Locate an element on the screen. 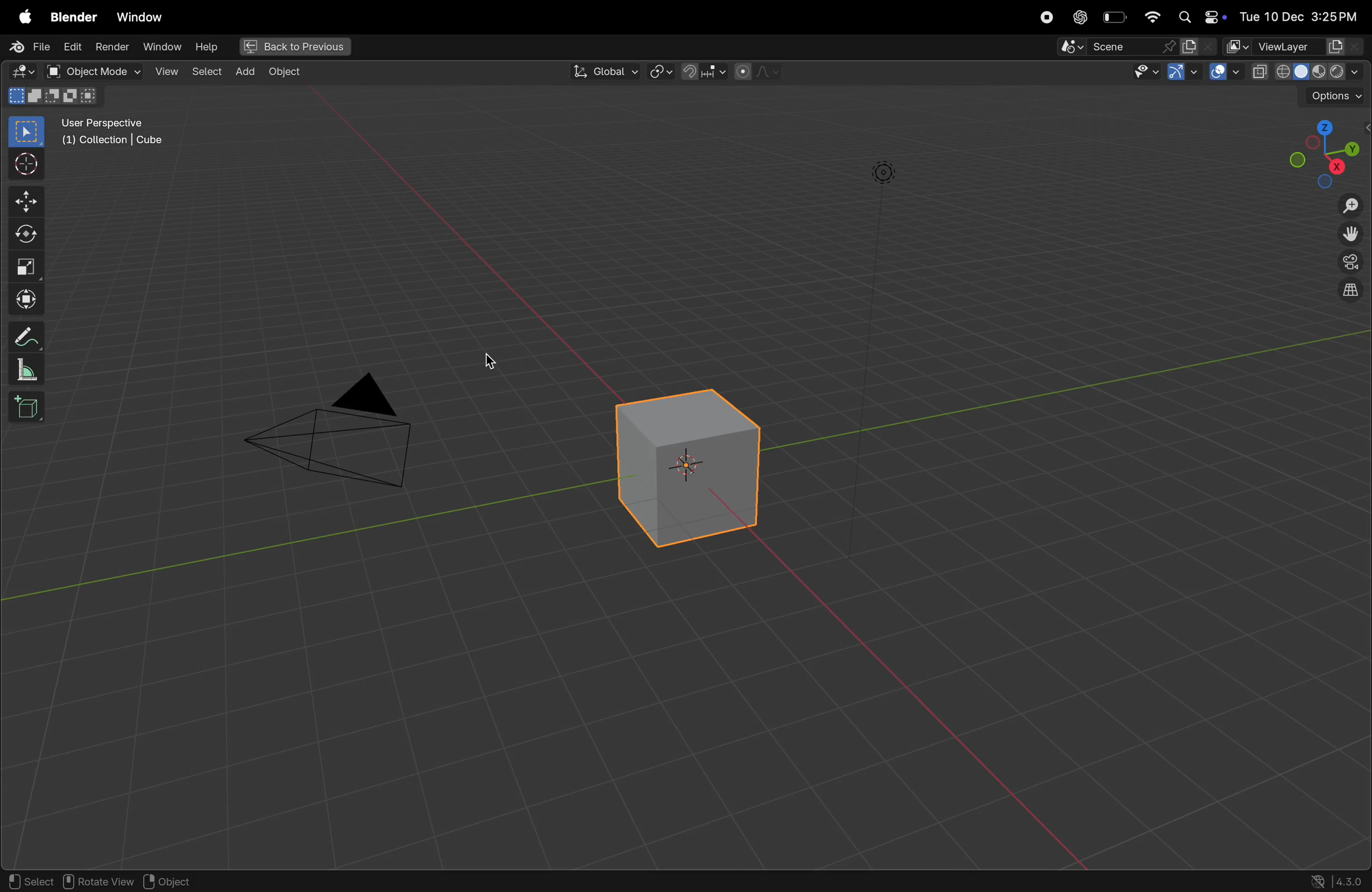 The height and width of the screenshot is (892, 1372). mode is located at coordinates (55, 96).